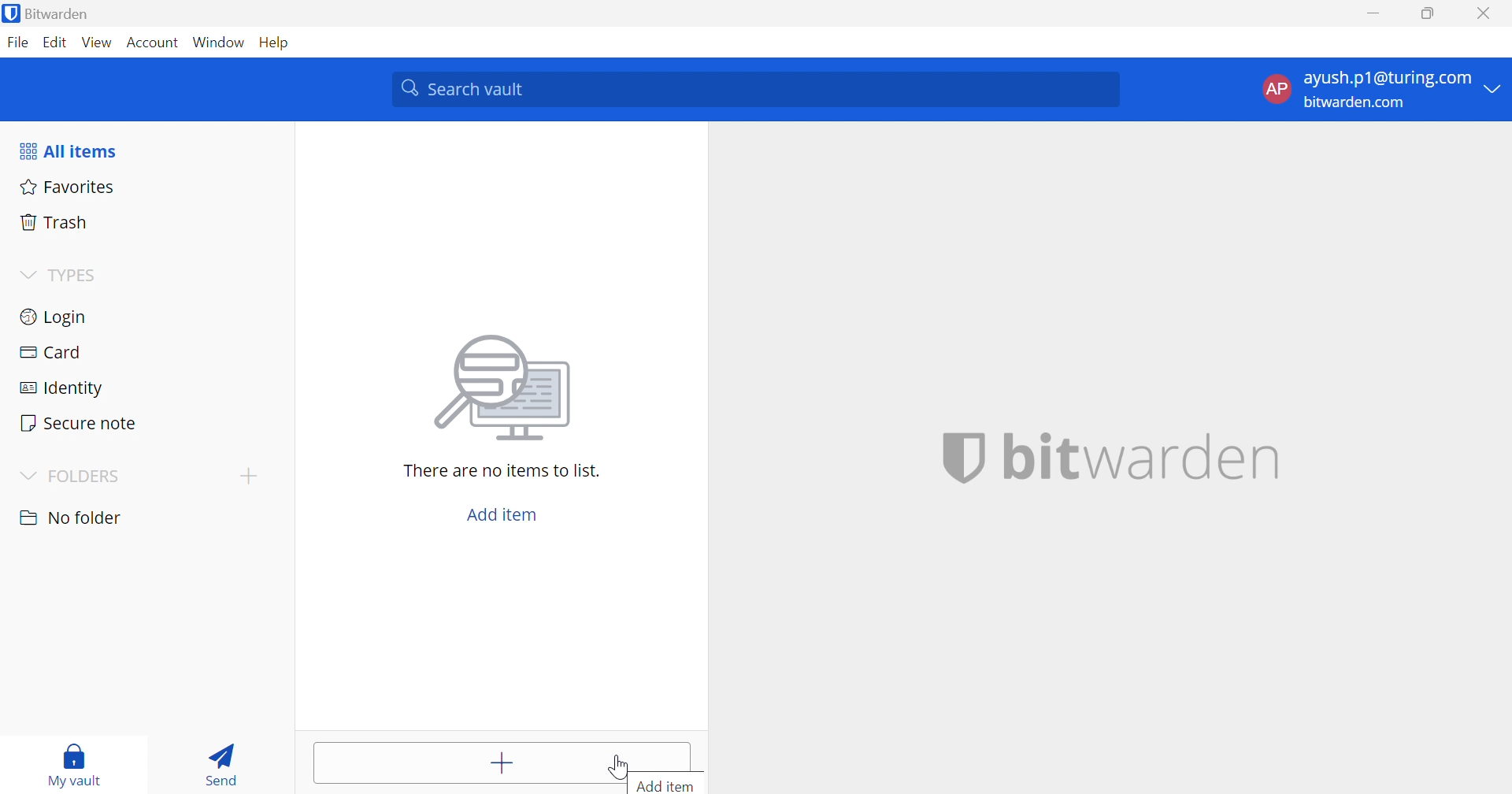  I want to click on File, so click(17, 42).